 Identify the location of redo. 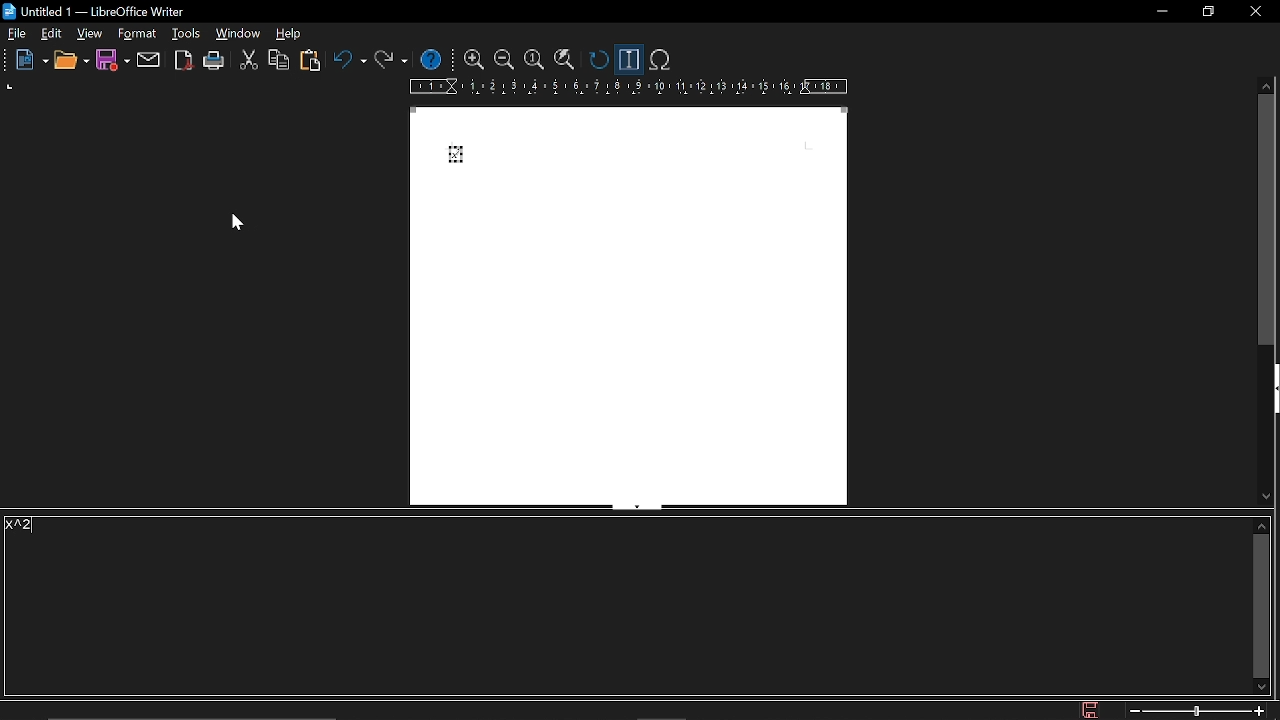
(389, 62).